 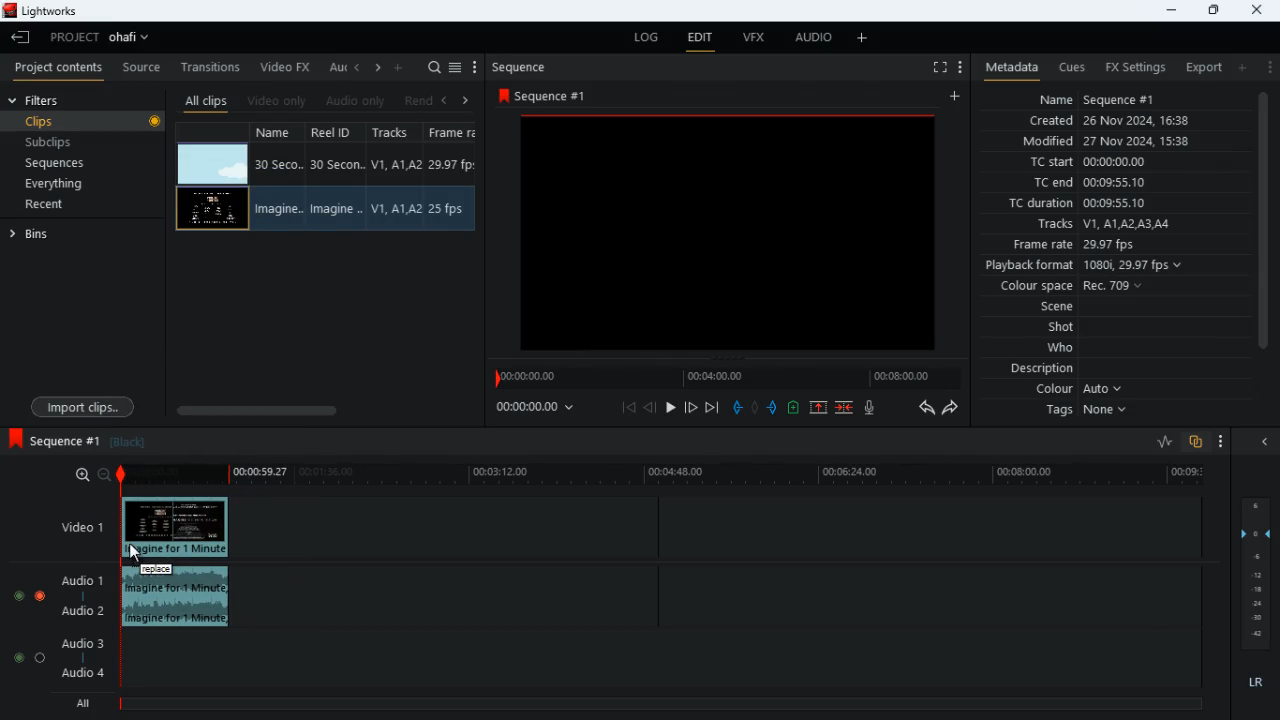 What do you see at coordinates (650, 407) in the screenshot?
I see `back` at bounding box center [650, 407].